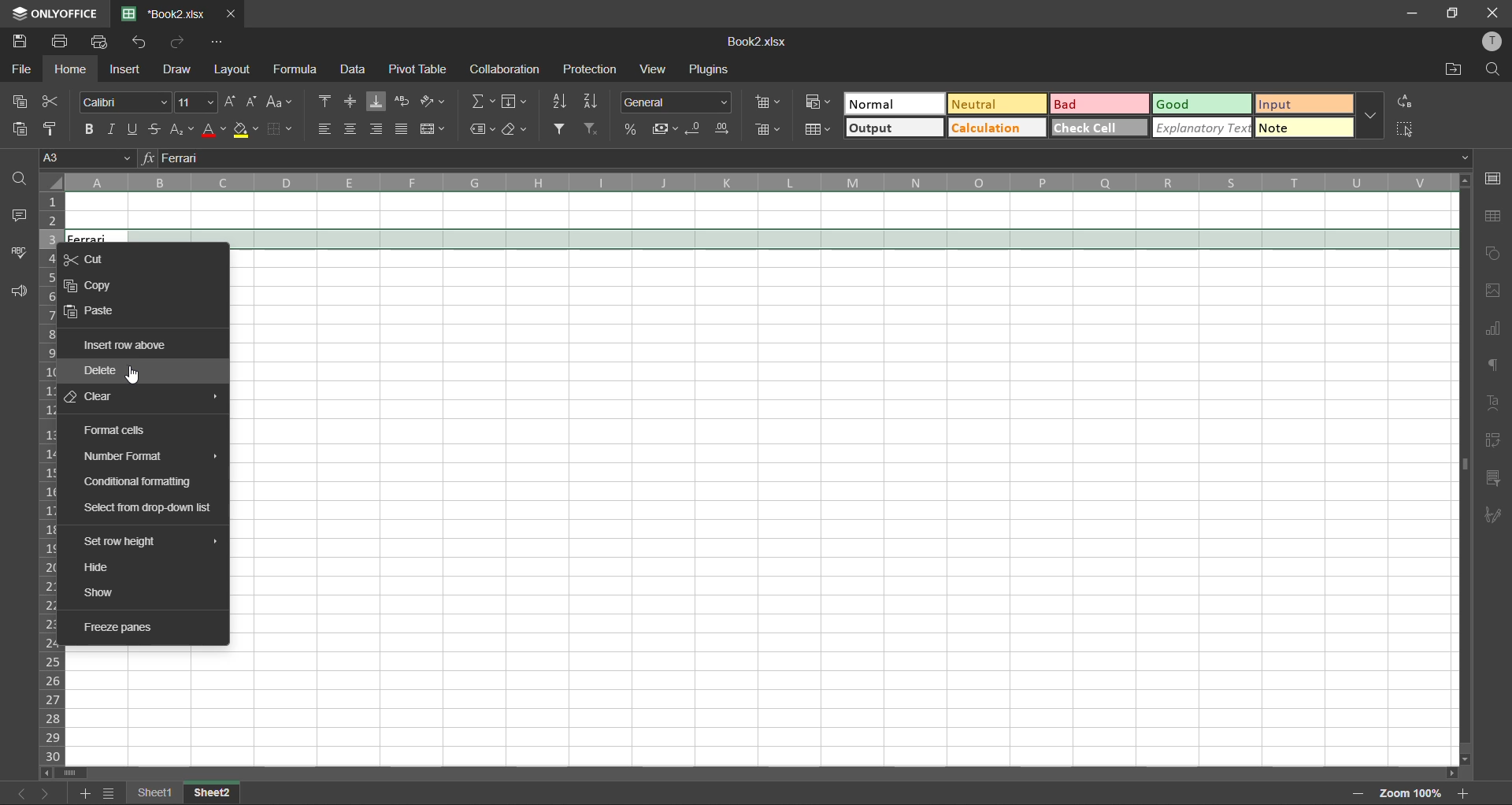 Image resolution: width=1512 pixels, height=805 pixels. What do you see at coordinates (1495, 442) in the screenshot?
I see `pivot table` at bounding box center [1495, 442].